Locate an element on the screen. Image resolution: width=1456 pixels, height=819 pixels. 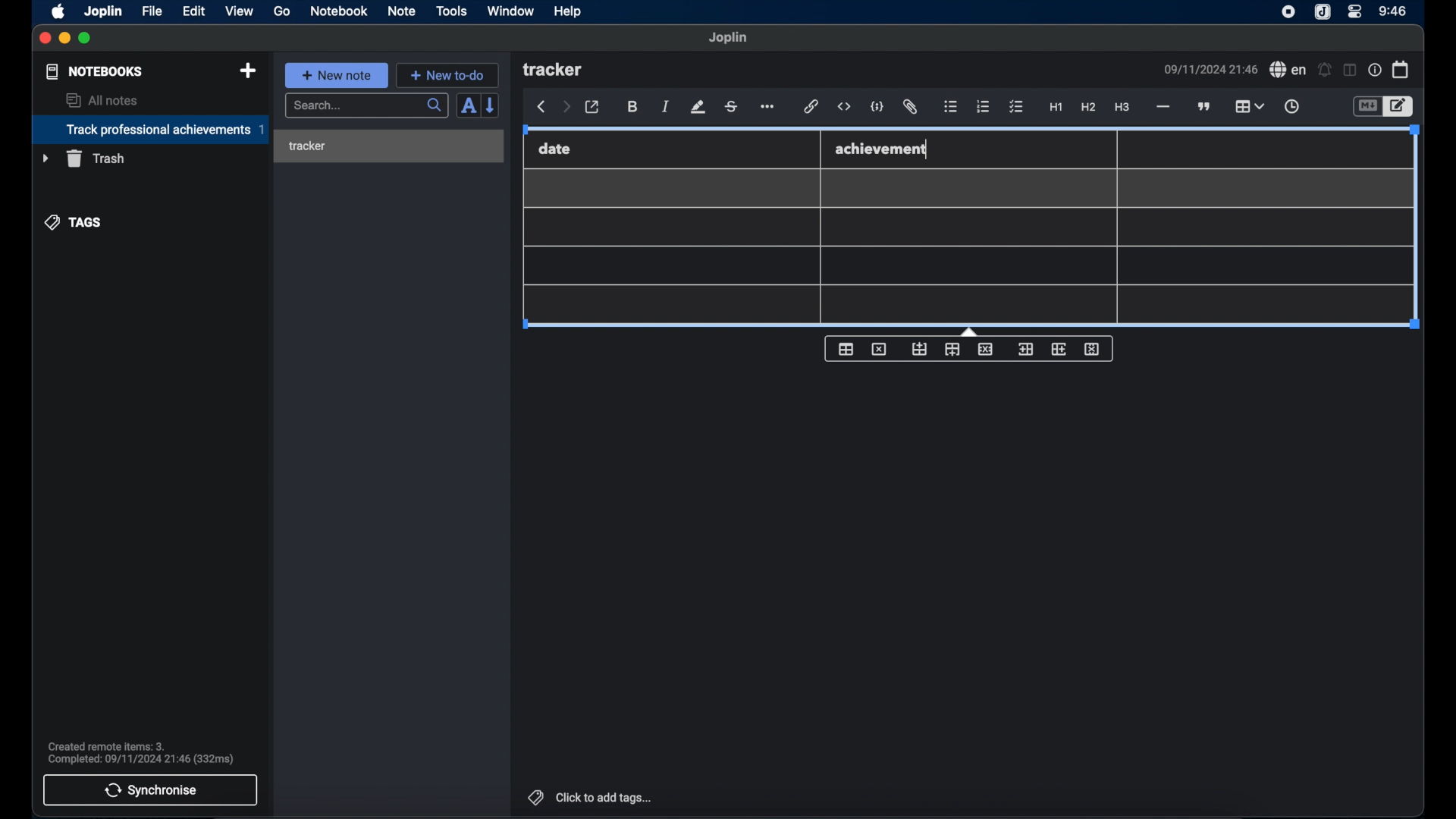
notebook is located at coordinates (339, 11).